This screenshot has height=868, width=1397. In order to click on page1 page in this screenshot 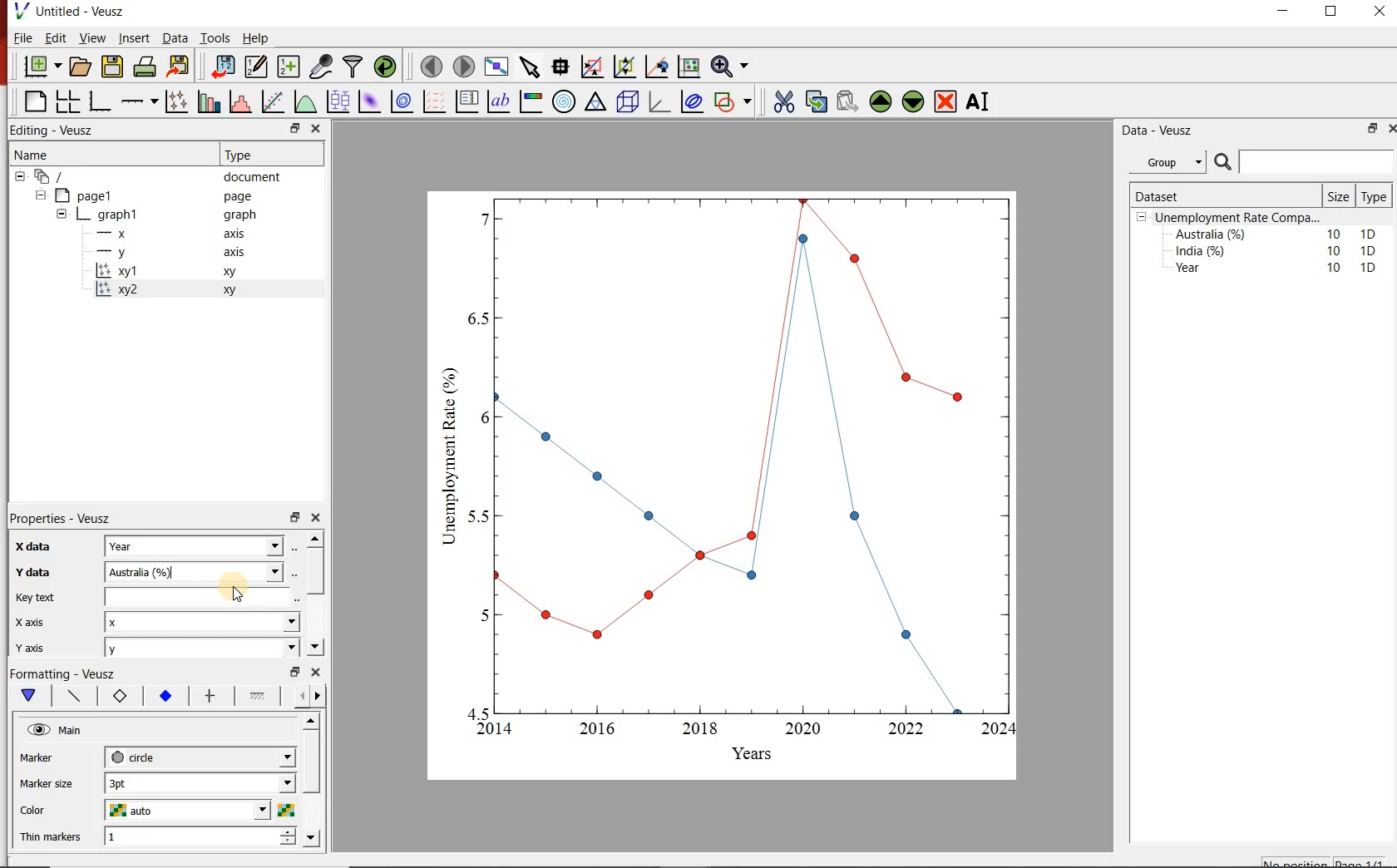, I will do `click(160, 195)`.